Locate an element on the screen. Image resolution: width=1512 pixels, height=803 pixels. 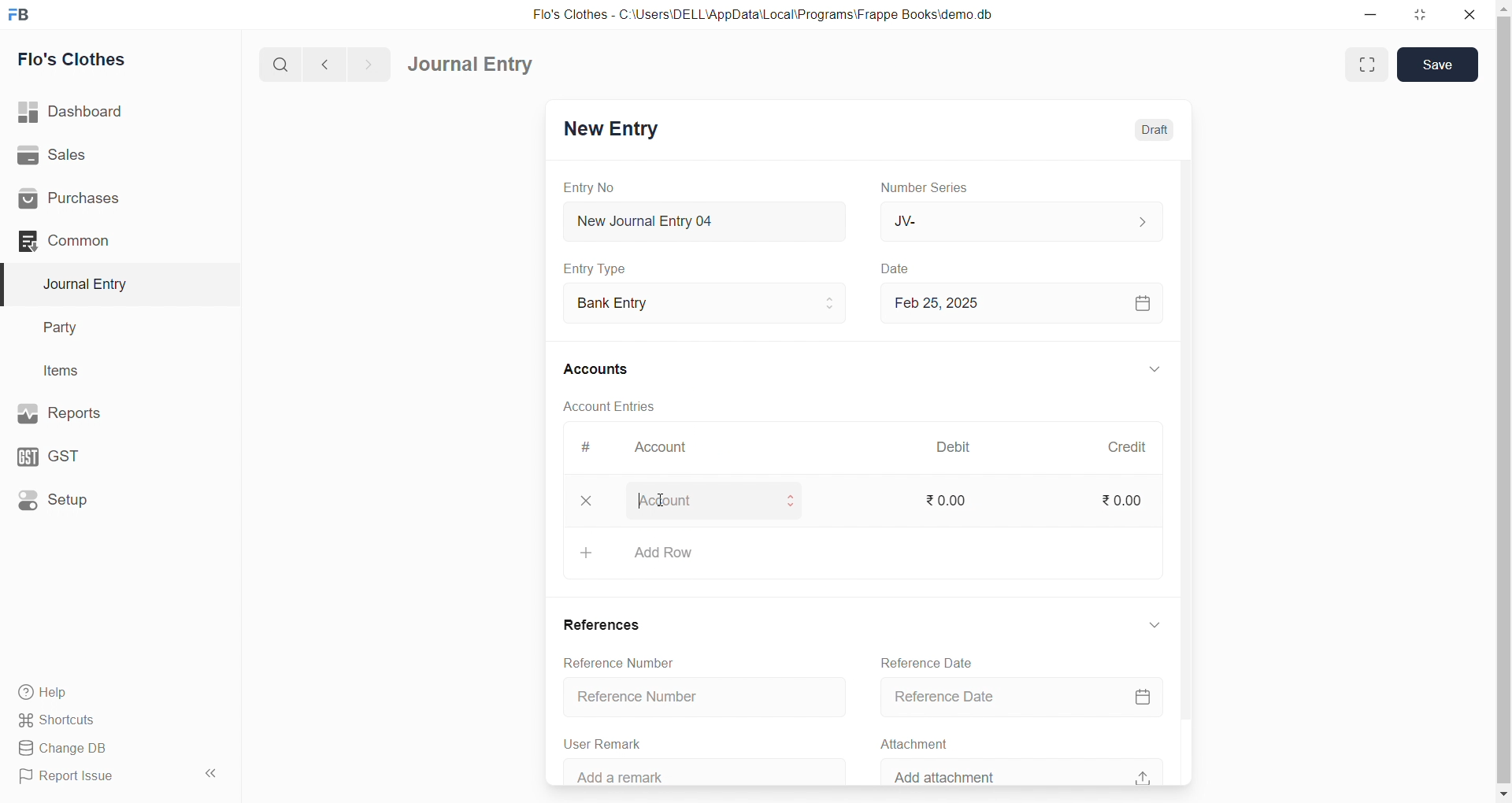
minimize is located at coordinates (1366, 13).